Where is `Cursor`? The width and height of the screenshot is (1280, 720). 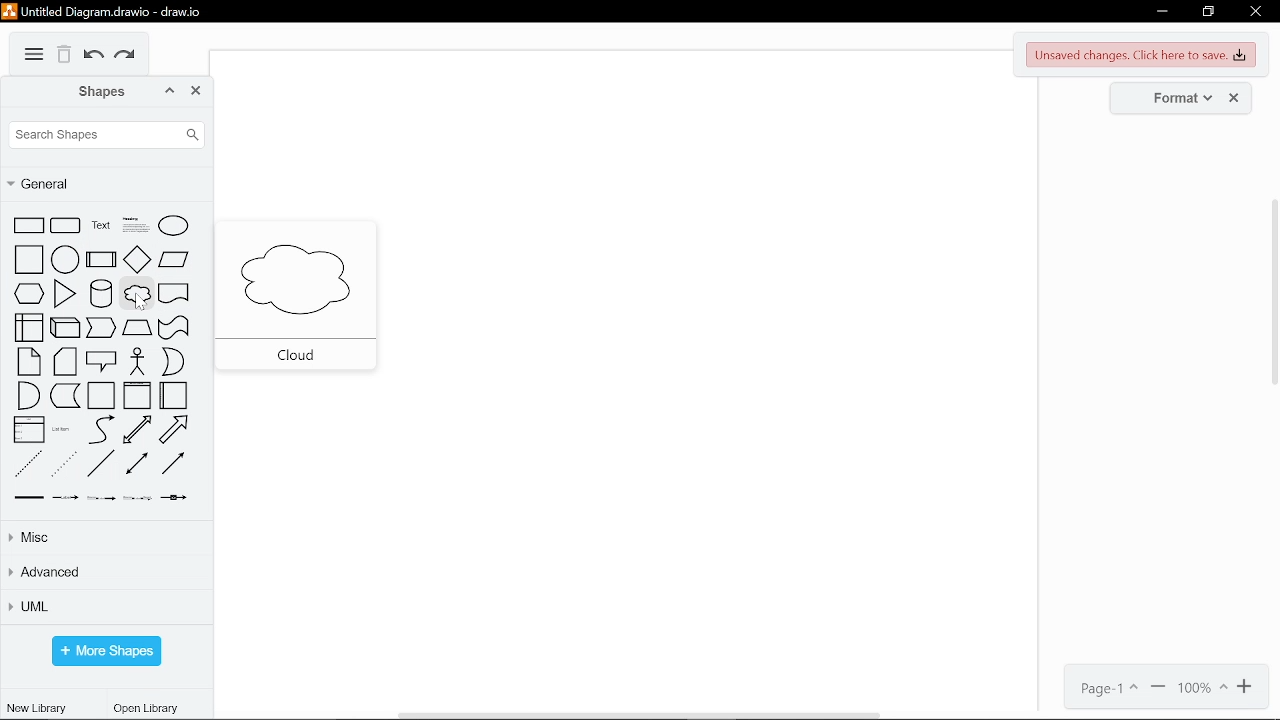
Cursor is located at coordinates (138, 300).